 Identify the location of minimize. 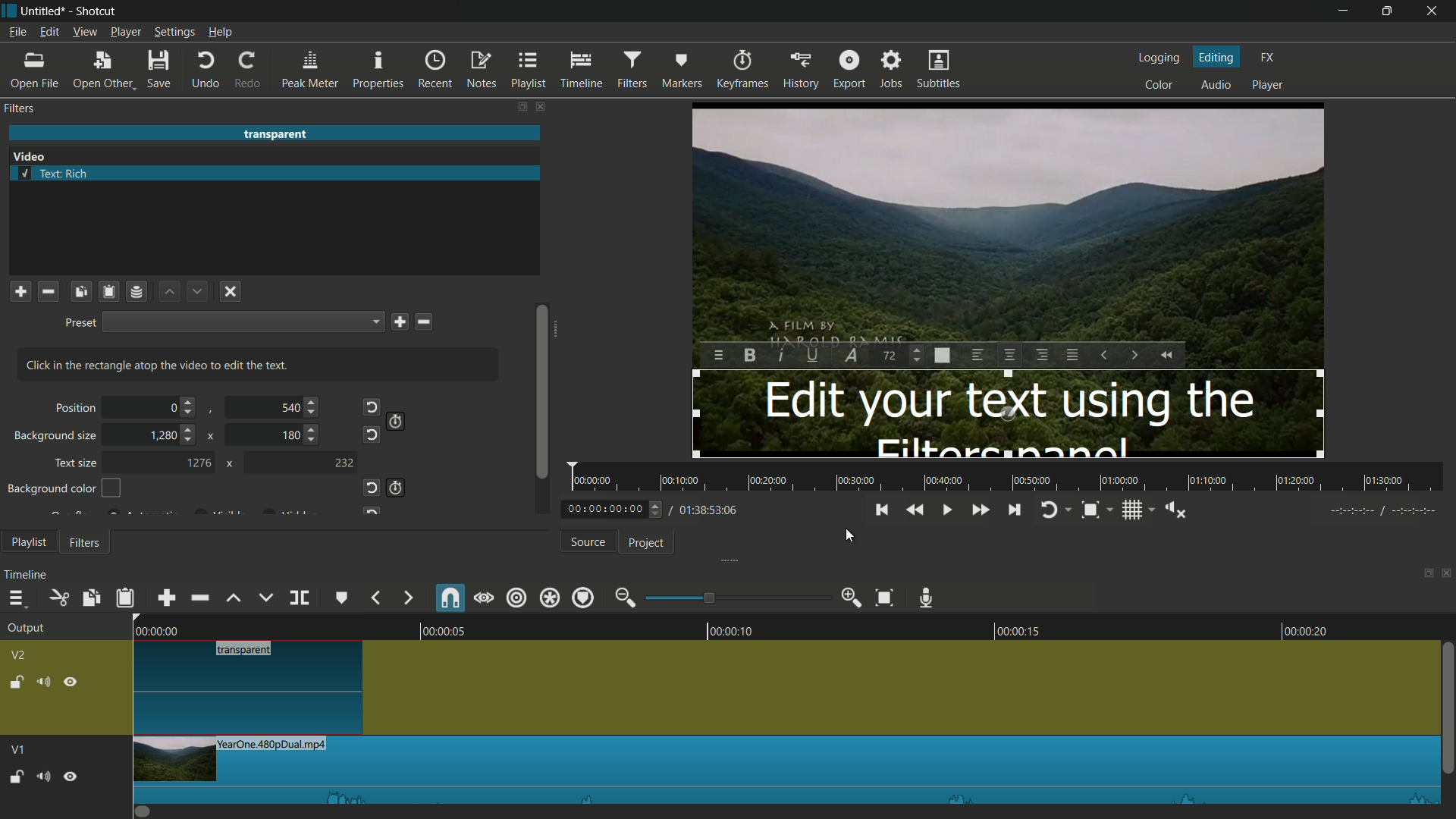
(1346, 11).